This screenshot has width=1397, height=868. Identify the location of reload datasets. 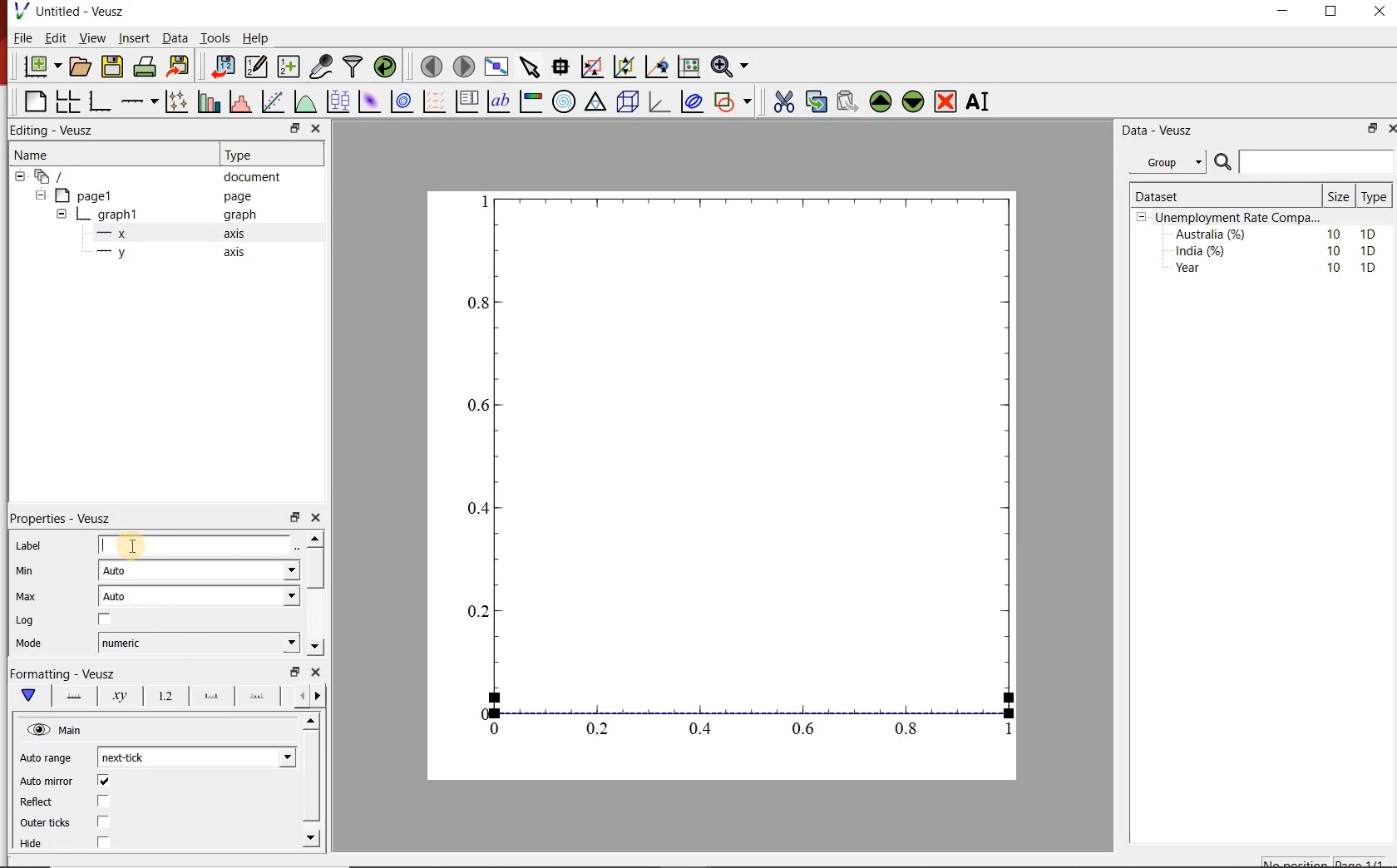
(386, 66).